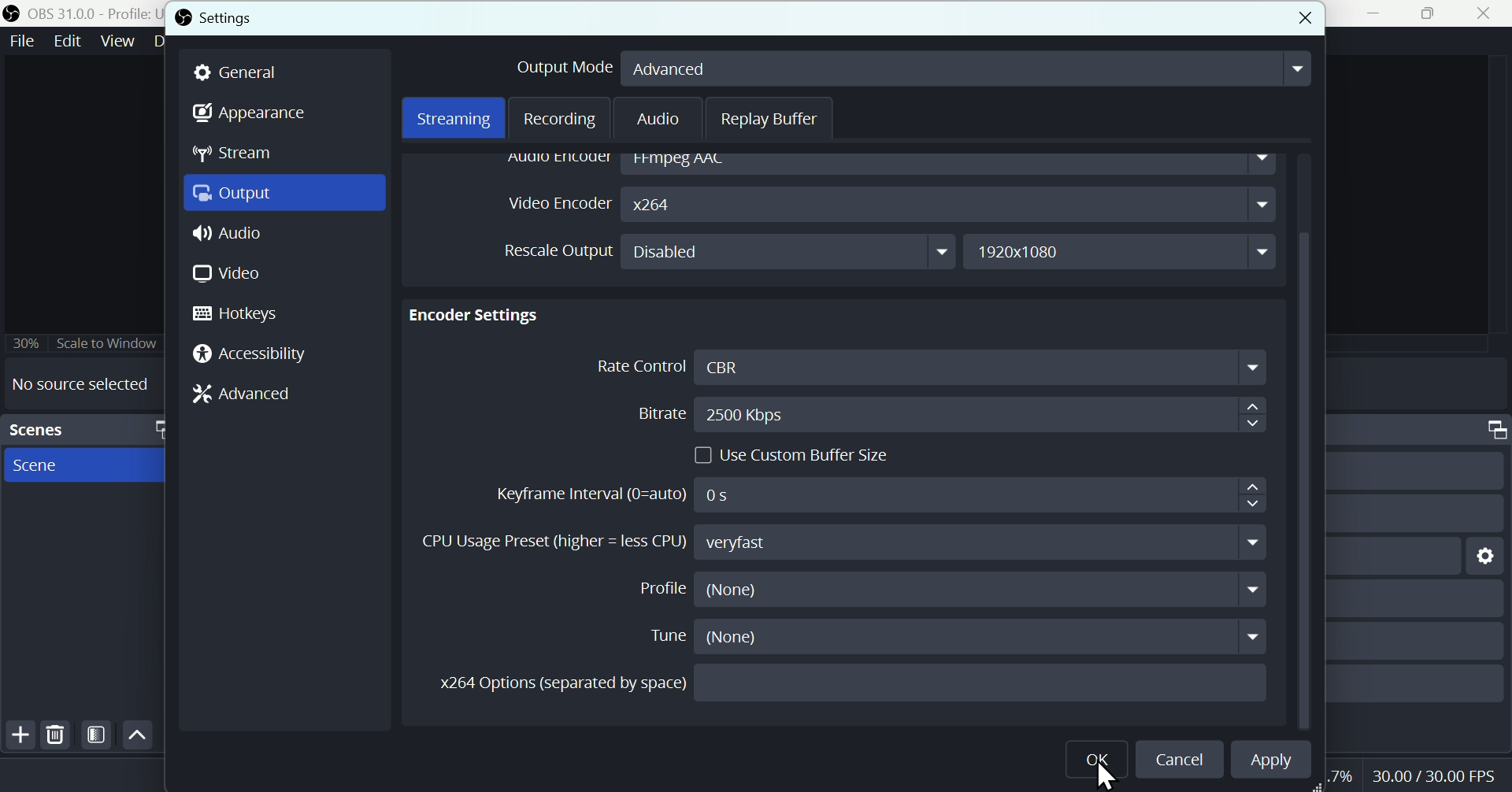 The image size is (1512, 792). Describe the element at coordinates (246, 314) in the screenshot. I see `Hot keys` at that location.